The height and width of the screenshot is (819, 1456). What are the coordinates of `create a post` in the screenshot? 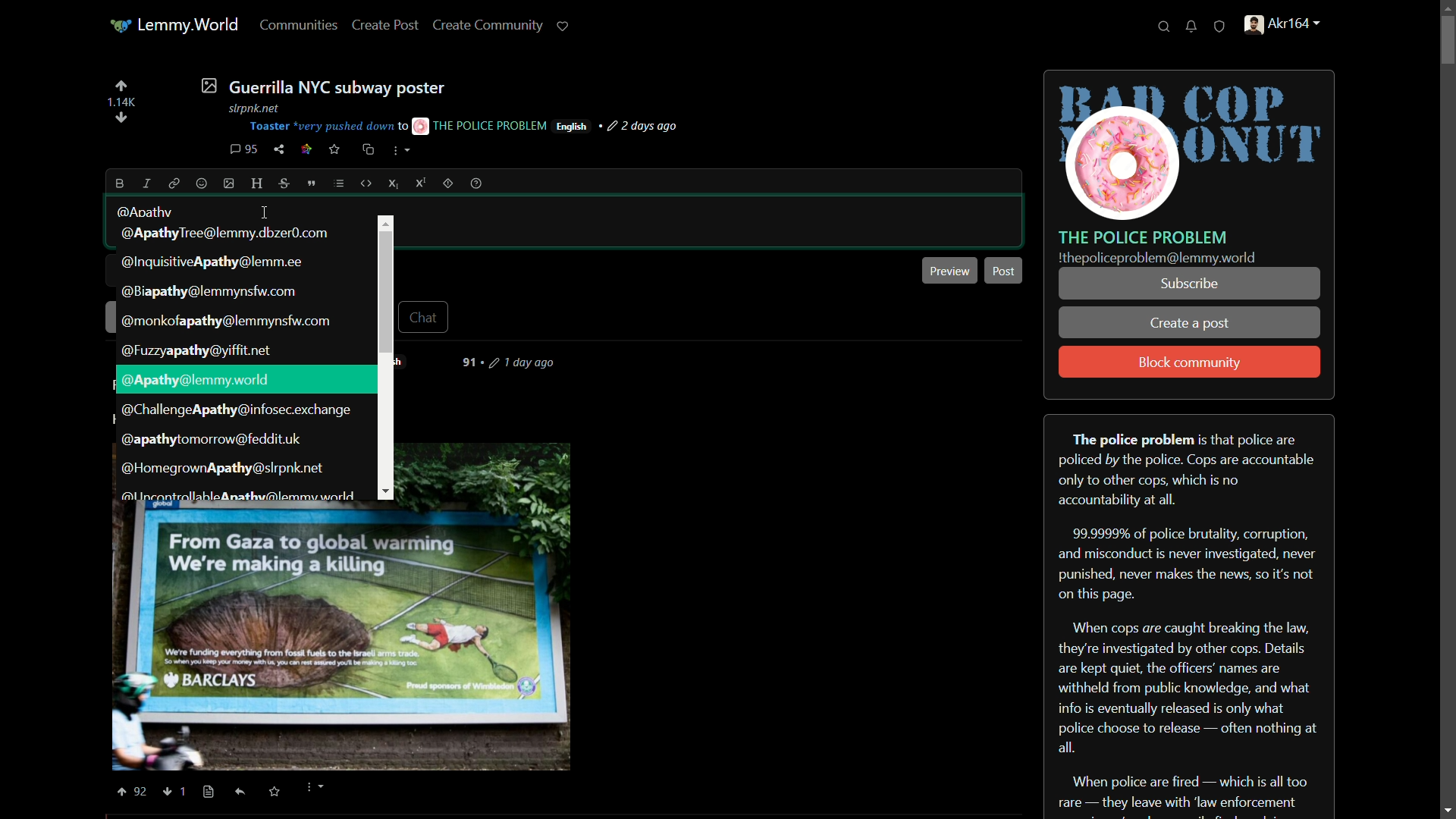 It's located at (1191, 325).